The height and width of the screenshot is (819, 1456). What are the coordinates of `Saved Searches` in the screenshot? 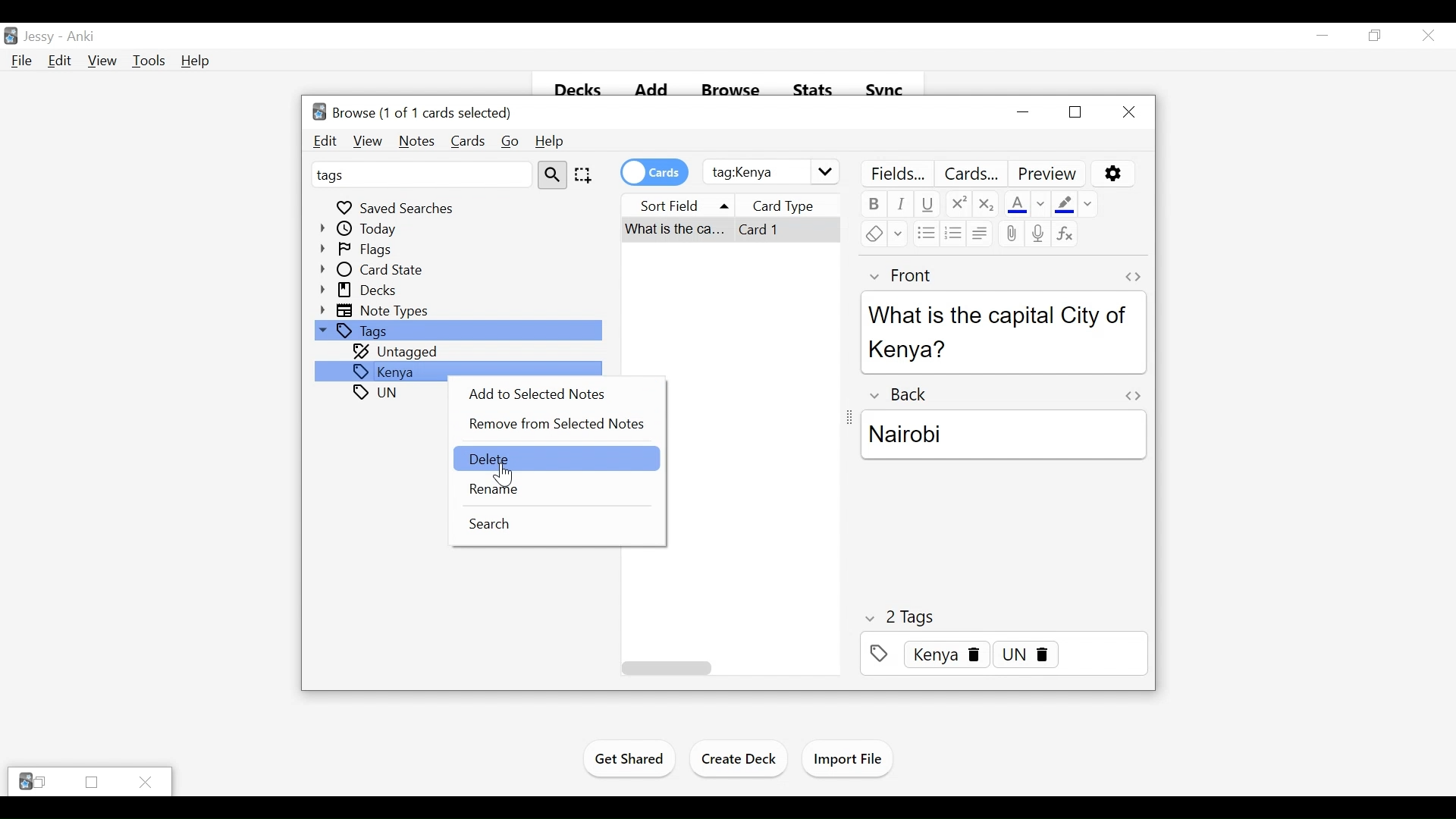 It's located at (397, 206).